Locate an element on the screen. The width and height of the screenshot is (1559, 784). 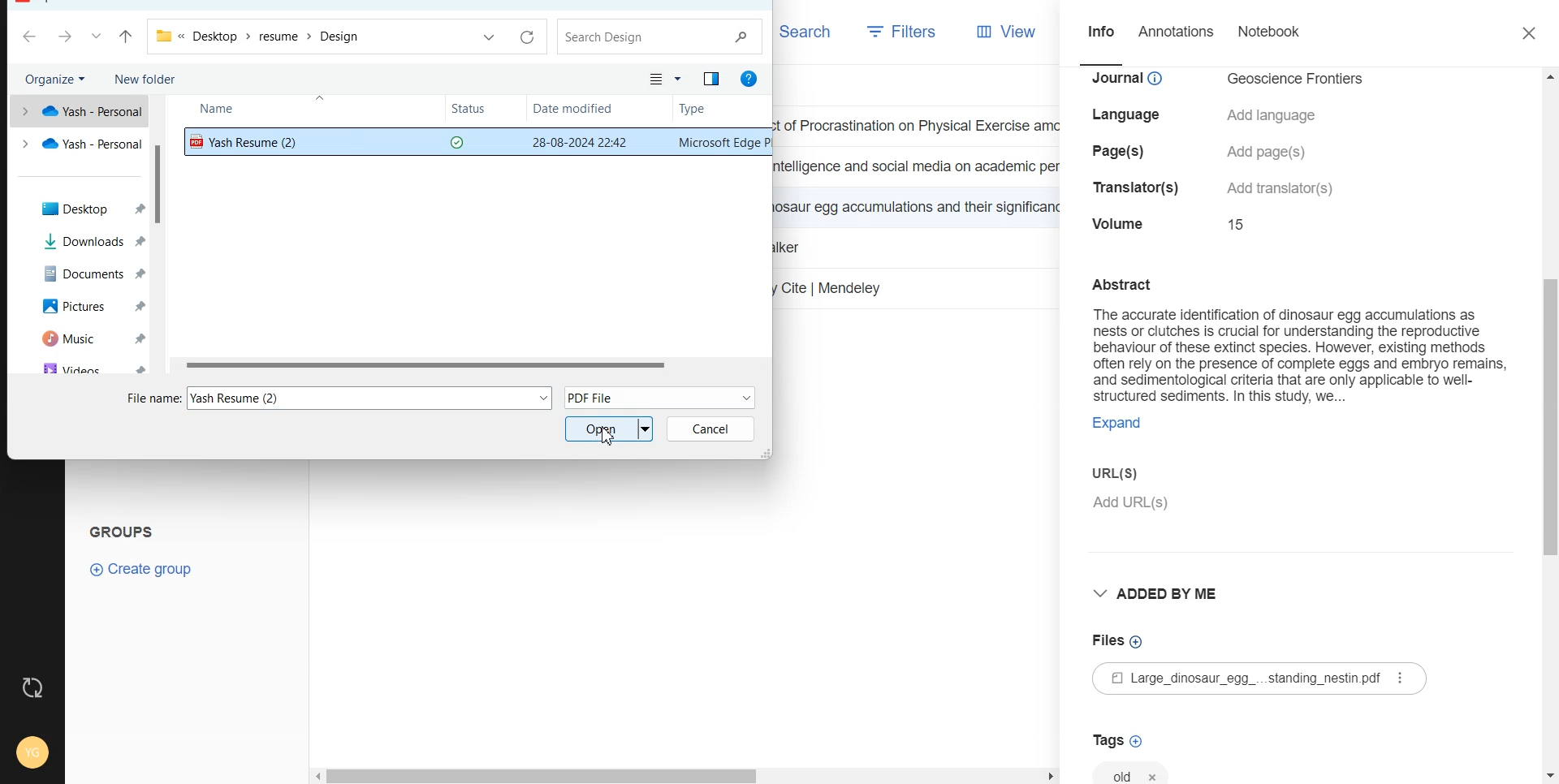
details is located at coordinates (1269, 152).